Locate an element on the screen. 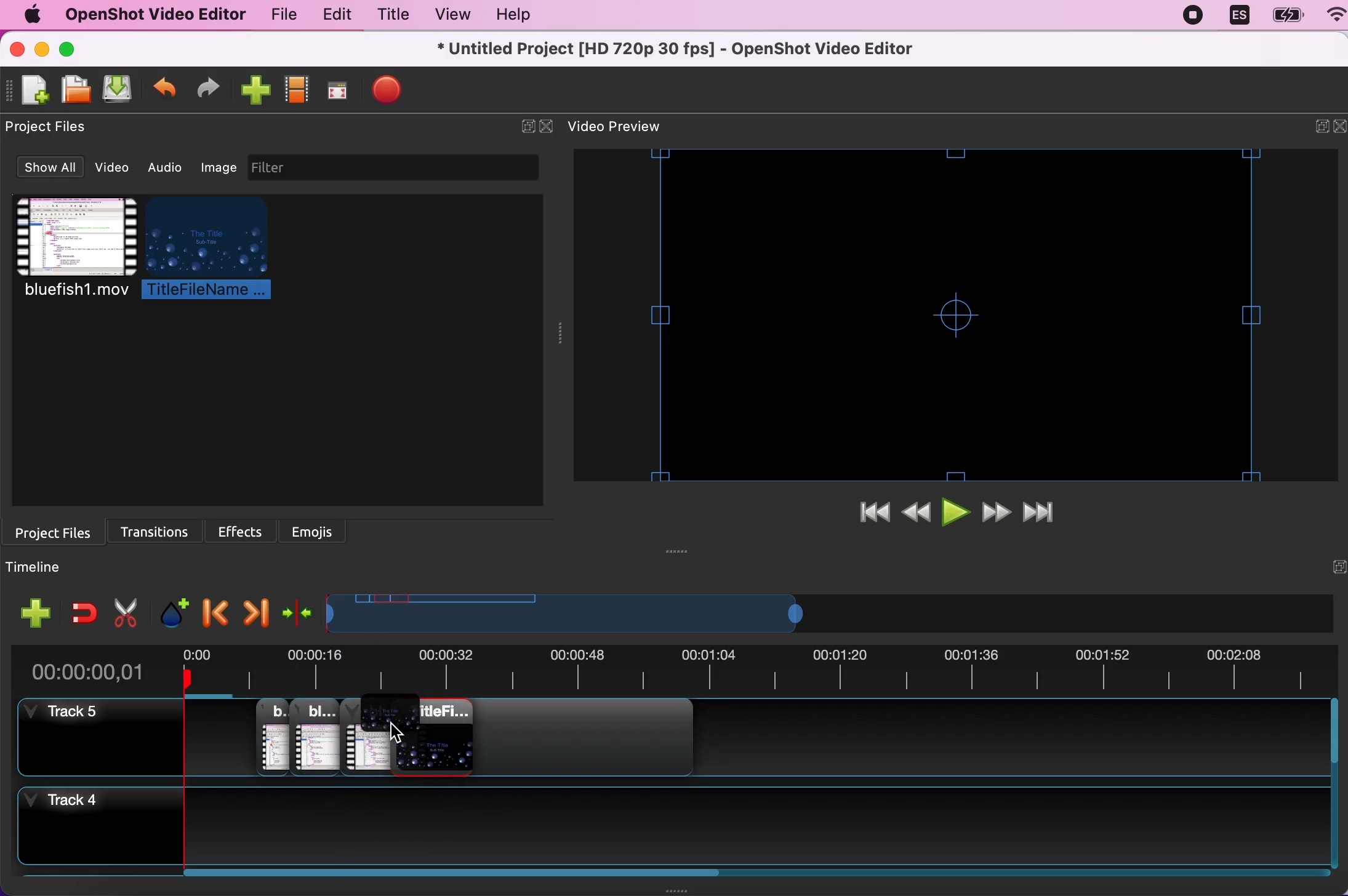 The height and width of the screenshot is (896, 1348). close is located at coordinates (18, 49).